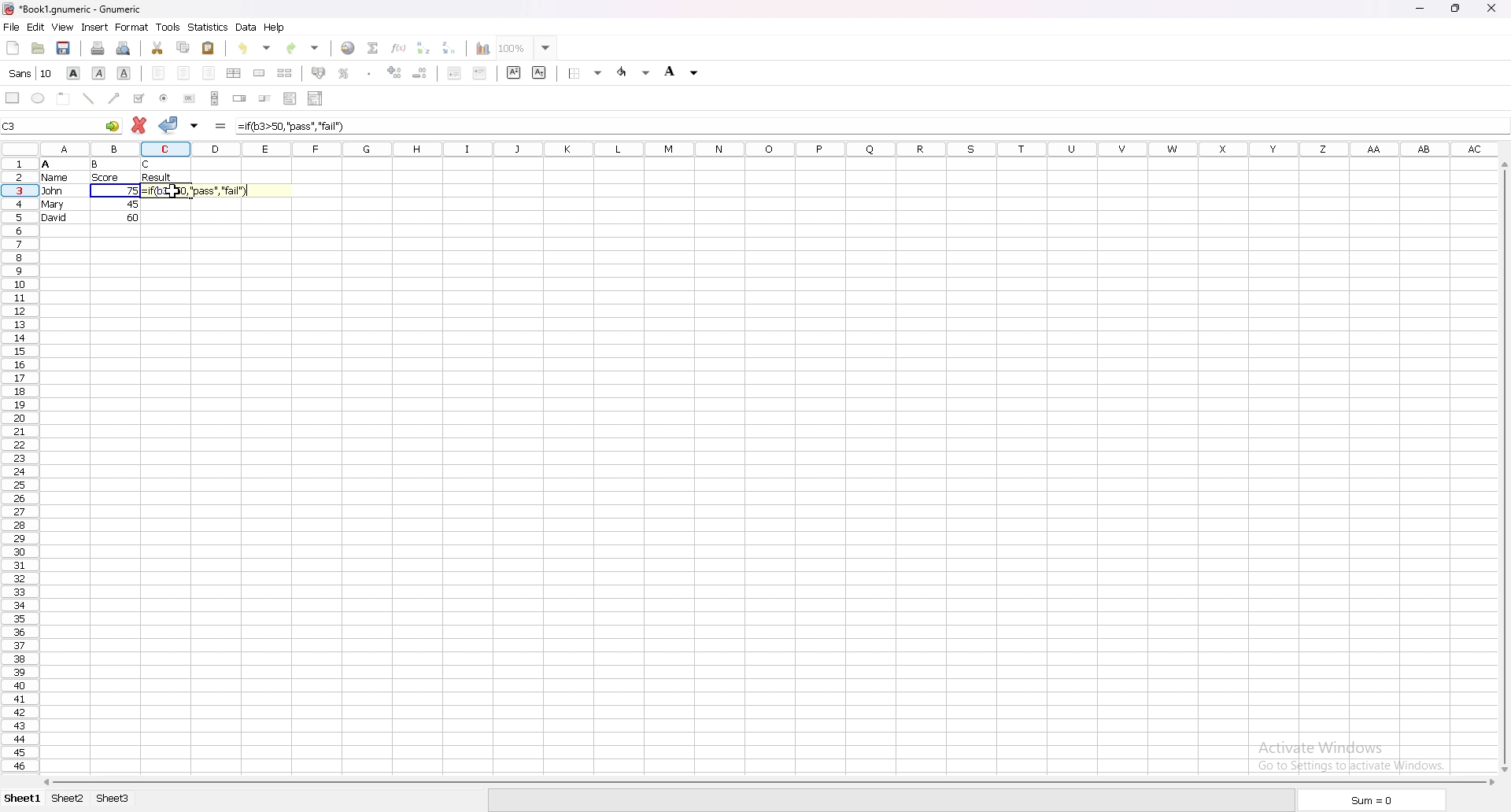  I want to click on sort ascending, so click(423, 48).